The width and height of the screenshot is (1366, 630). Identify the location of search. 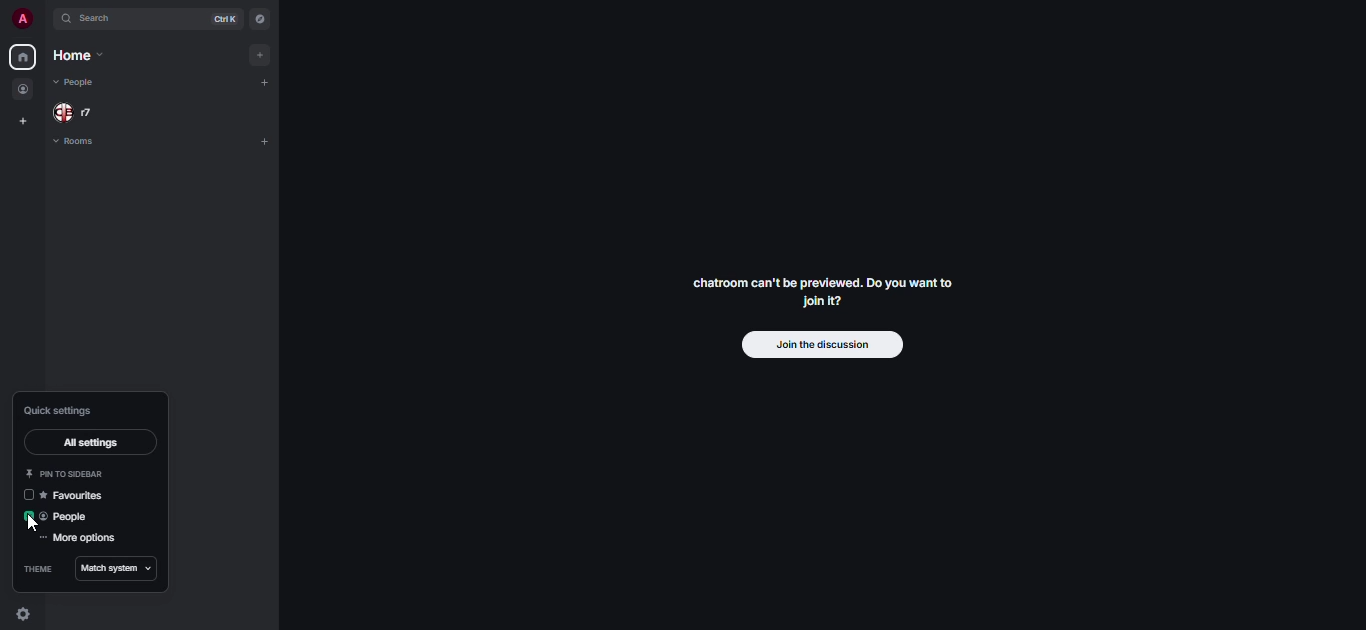
(100, 21).